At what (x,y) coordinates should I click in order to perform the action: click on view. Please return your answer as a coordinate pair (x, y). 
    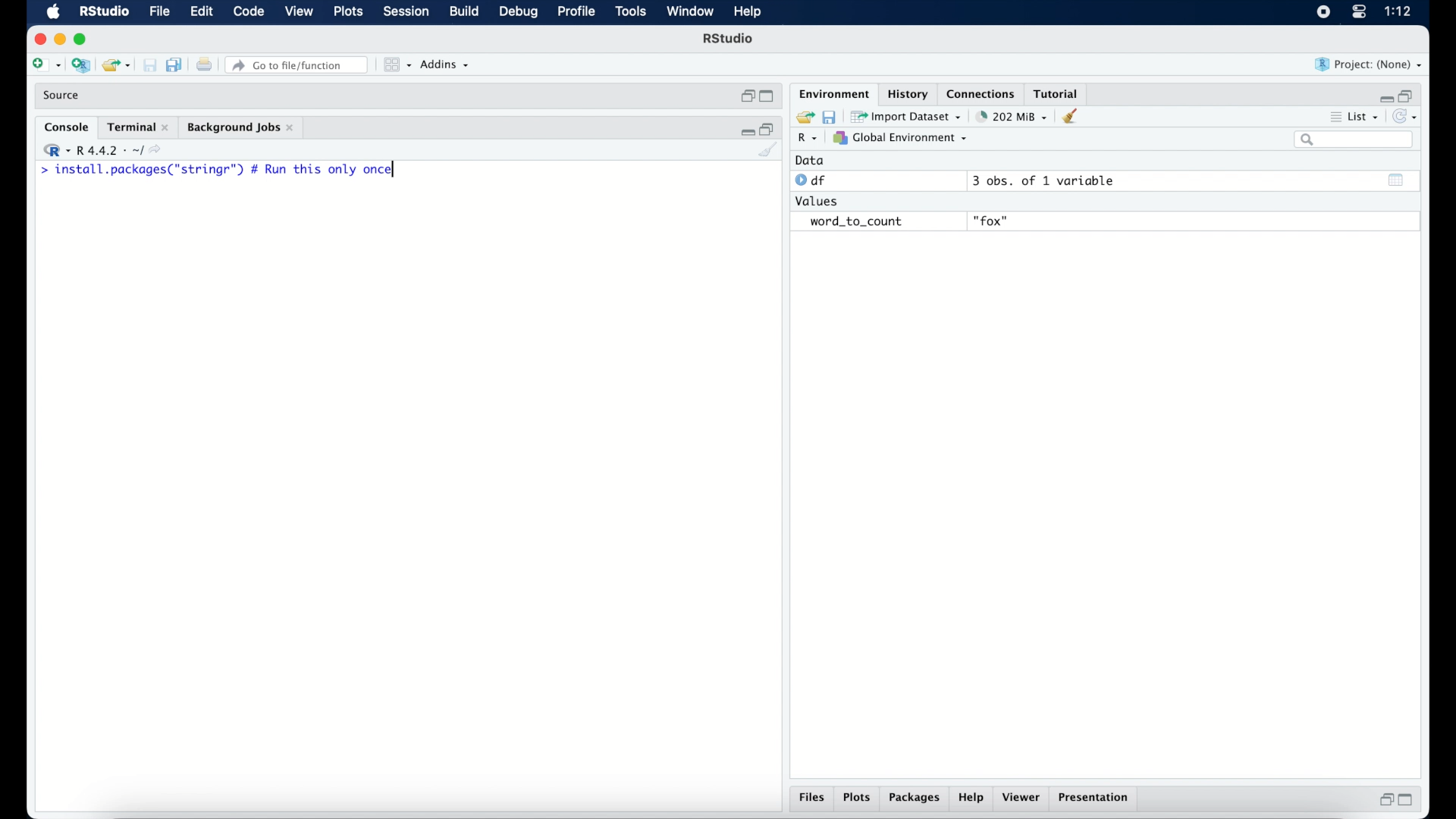
    Looking at the image, I should click on (299, 12).